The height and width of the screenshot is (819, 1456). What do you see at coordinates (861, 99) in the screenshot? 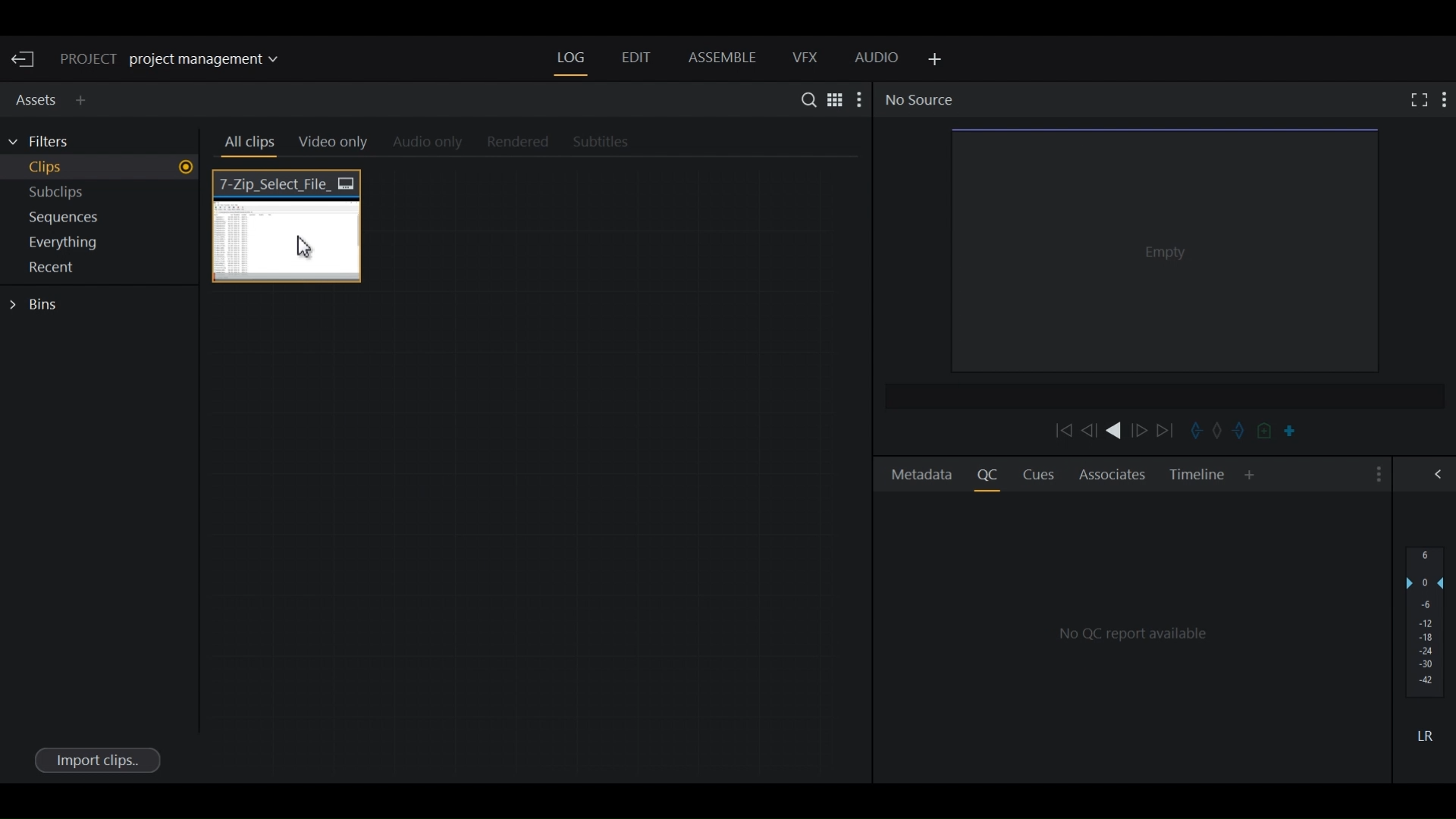
I see `Show settings menu` at bounding box center [861, 99].